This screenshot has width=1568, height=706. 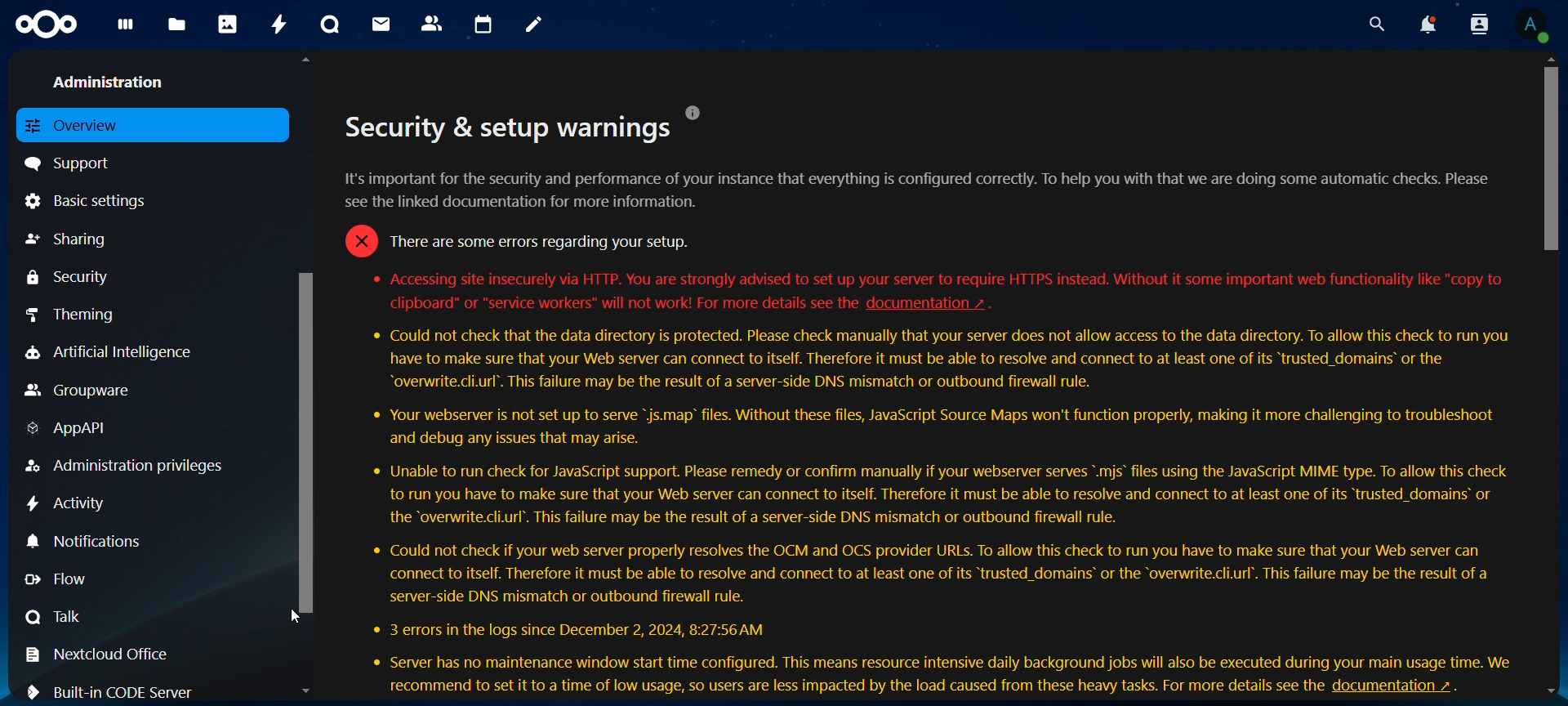 What do you see at coordinates (114, 80) in the screenshot?
I see `administration` at bounding box center [114, 80].